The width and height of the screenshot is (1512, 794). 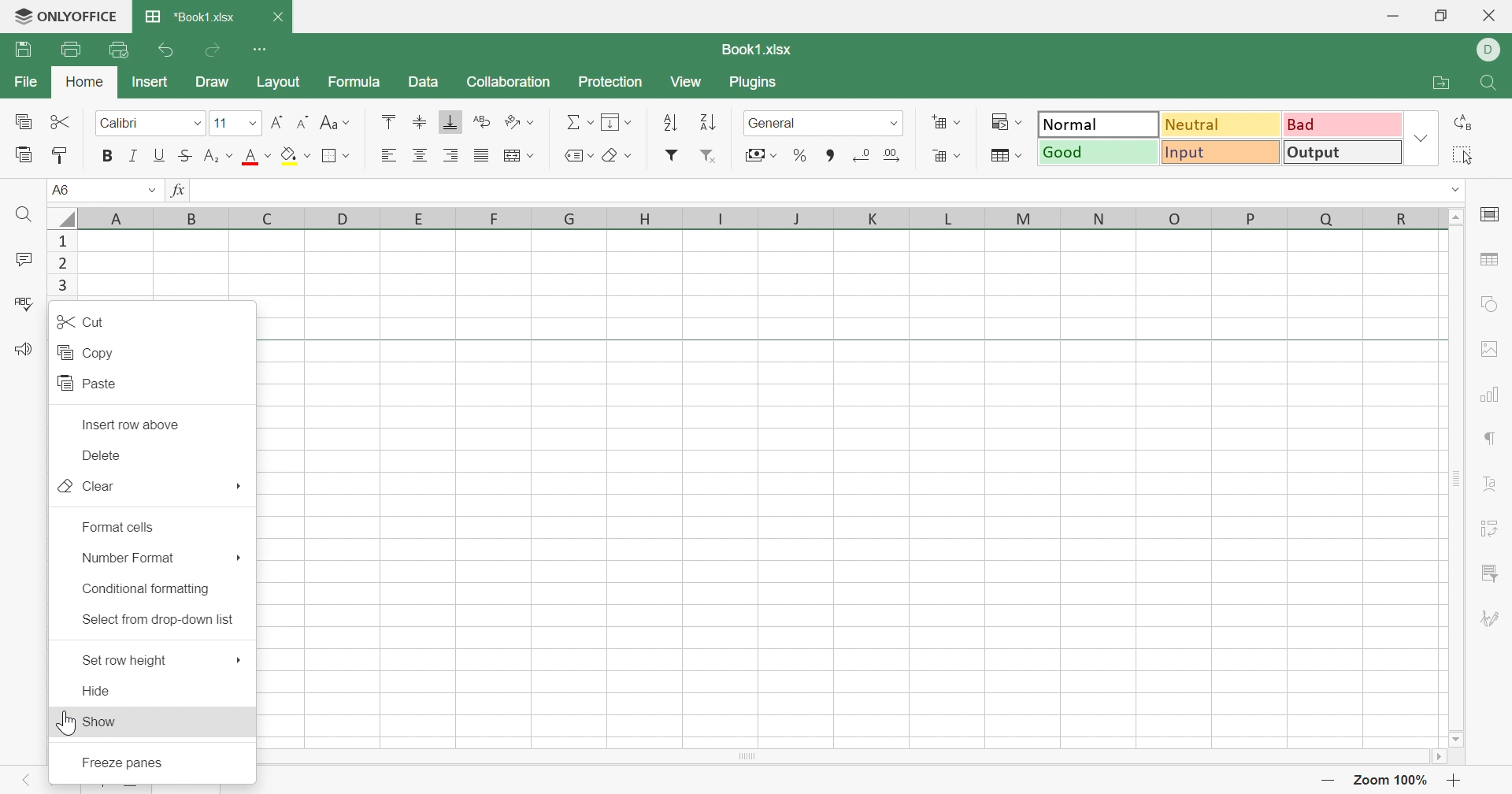 I want to click on A6, so click(x=76, y=187).